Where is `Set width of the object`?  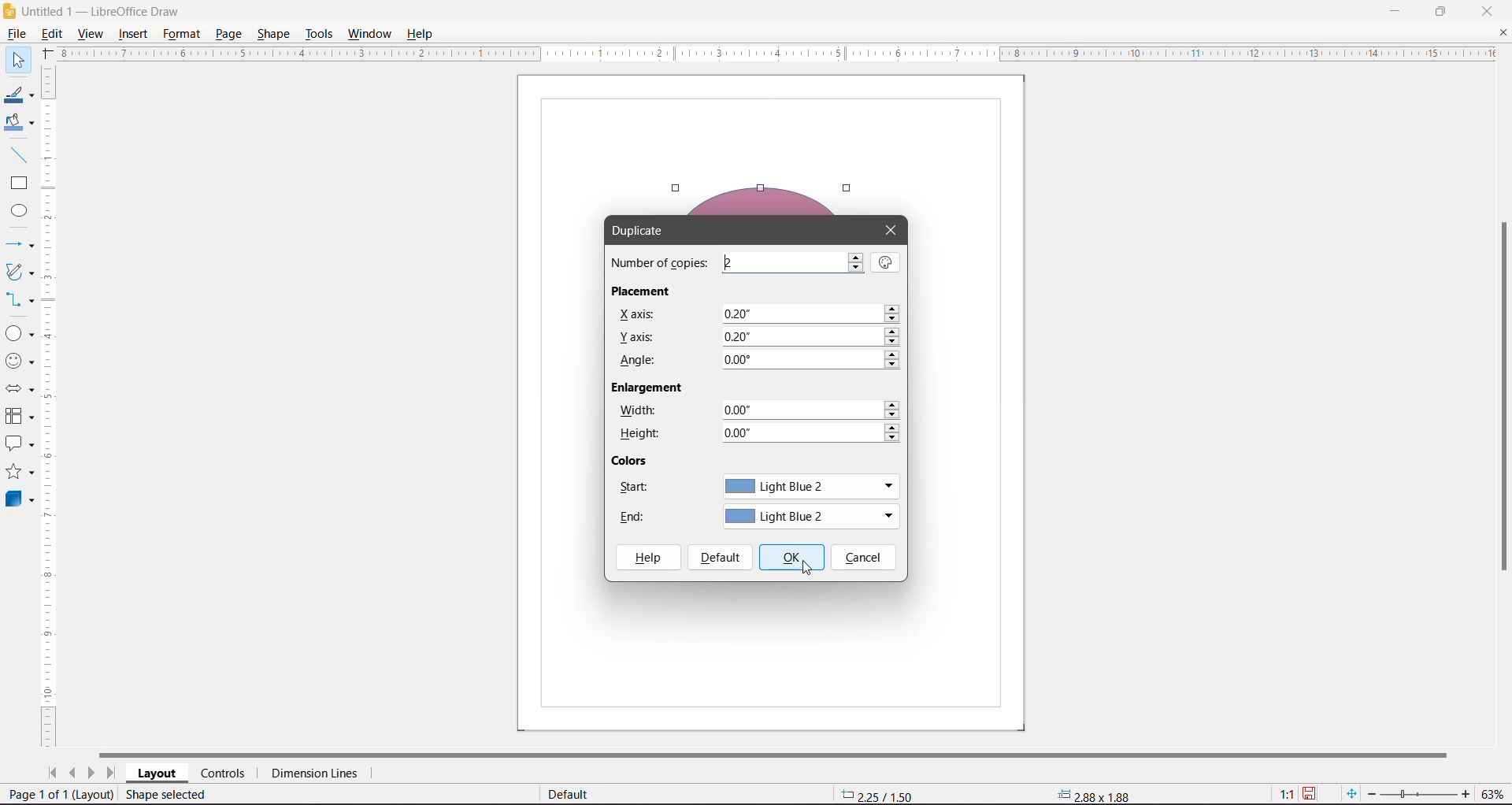
Set width of the object is located at coordinates (810, 410).